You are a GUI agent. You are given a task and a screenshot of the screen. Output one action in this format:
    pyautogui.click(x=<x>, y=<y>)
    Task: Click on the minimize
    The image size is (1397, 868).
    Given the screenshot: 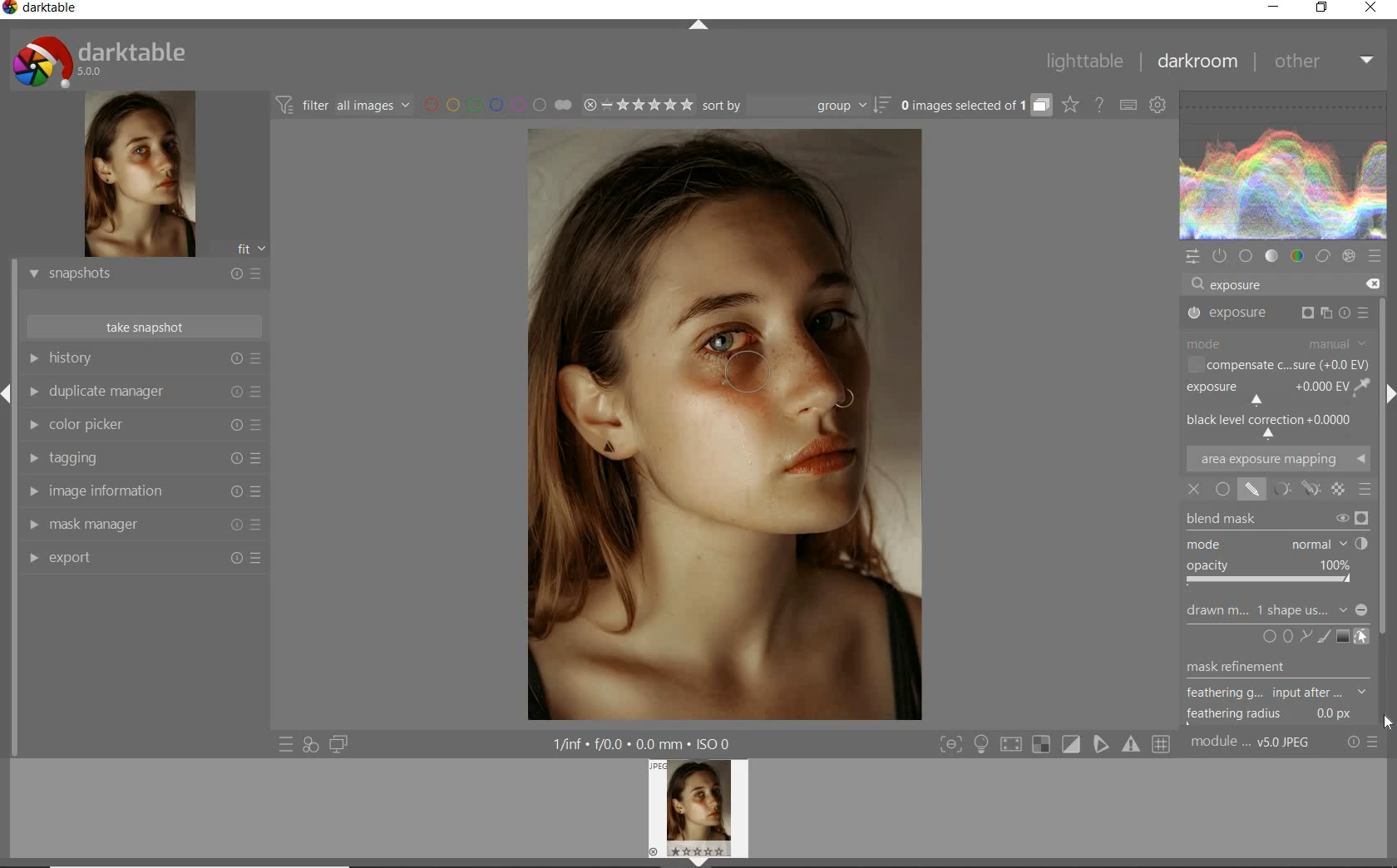 What is the action you would take?
    pyautogui.click(x=1273, y=7)
    